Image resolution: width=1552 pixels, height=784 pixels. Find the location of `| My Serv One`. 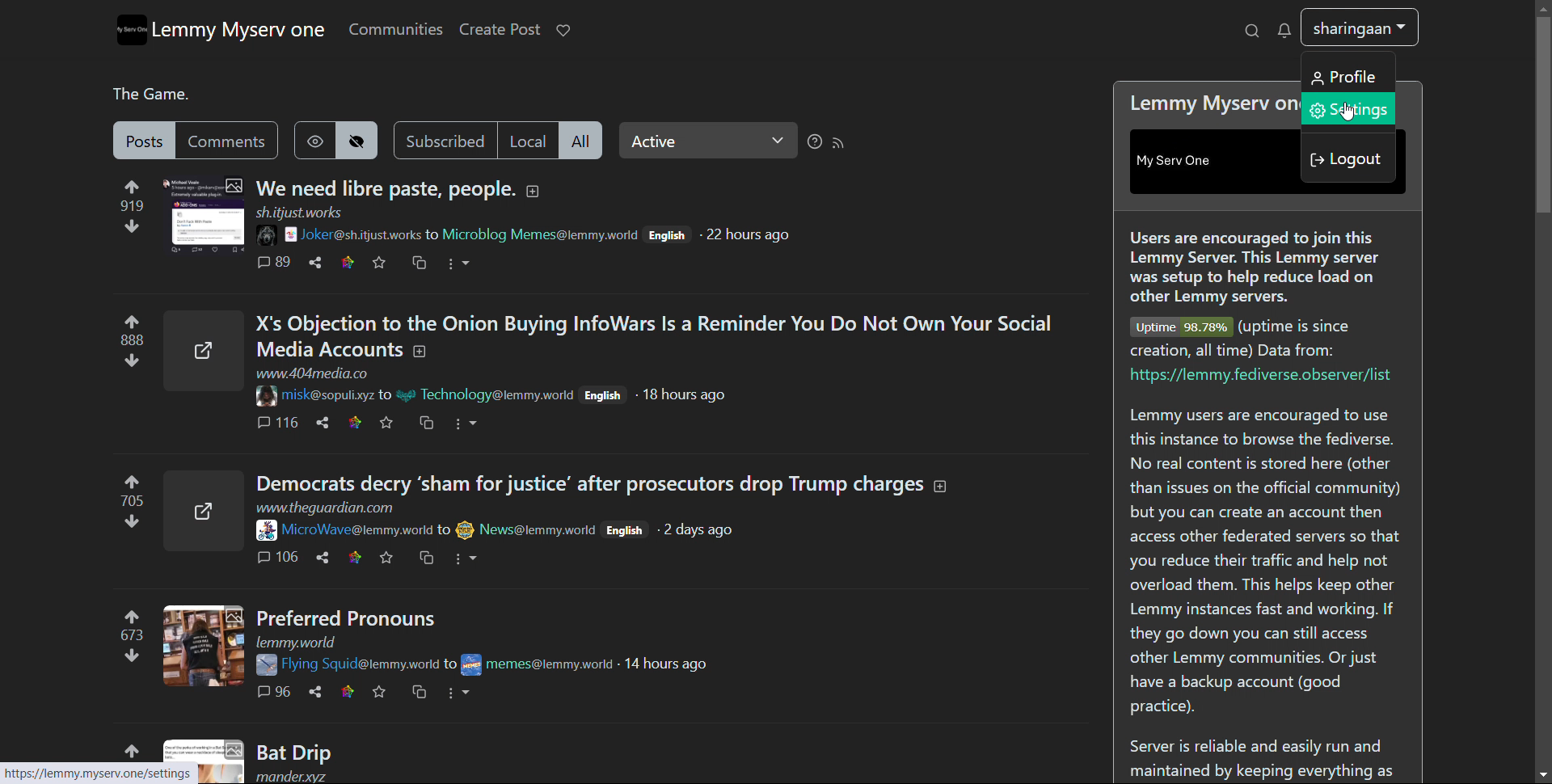

| My Serv One is located at coordinates (1184, 161).